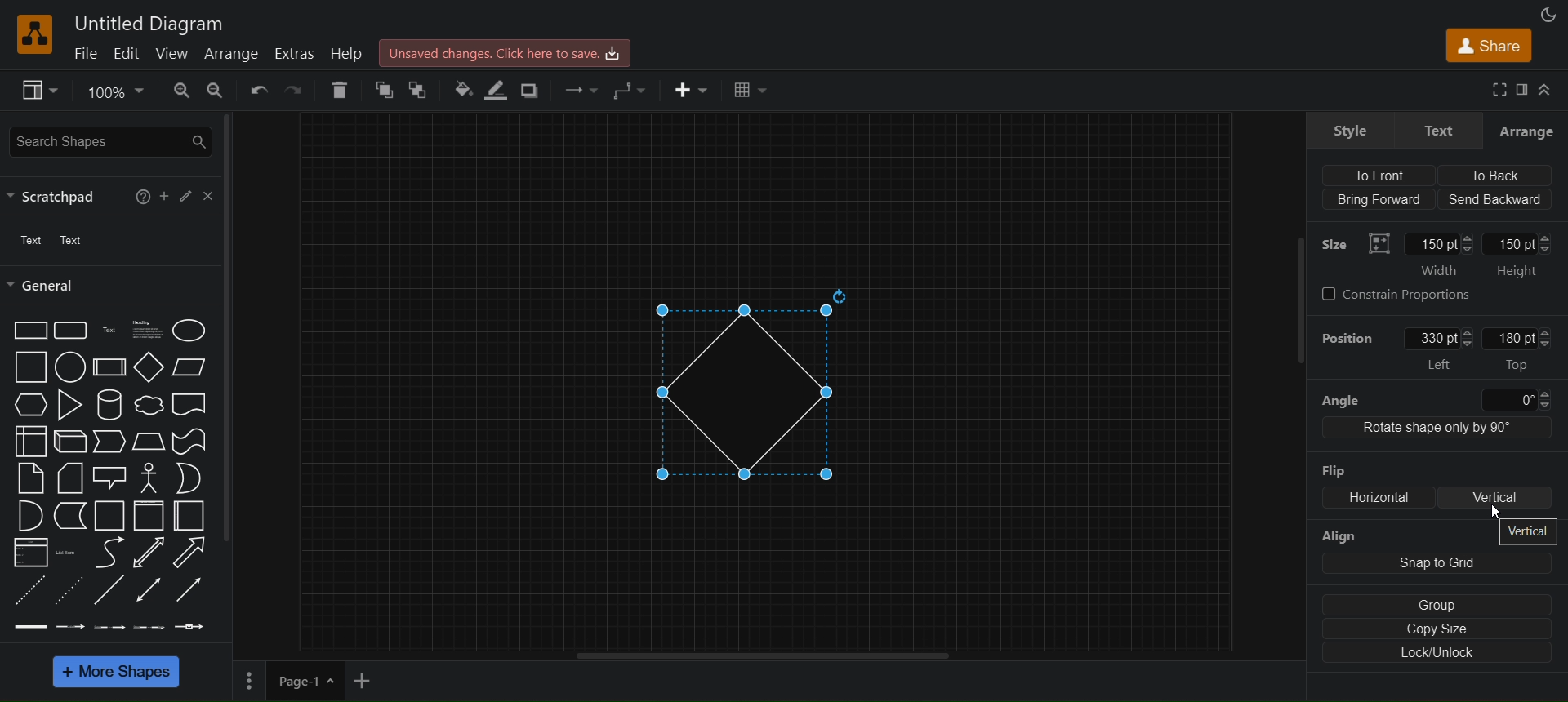 This screenshot has width=1568, height=702. Describe the element at coordinates (188, 442) in the screenshot. I see `tape` at that location.